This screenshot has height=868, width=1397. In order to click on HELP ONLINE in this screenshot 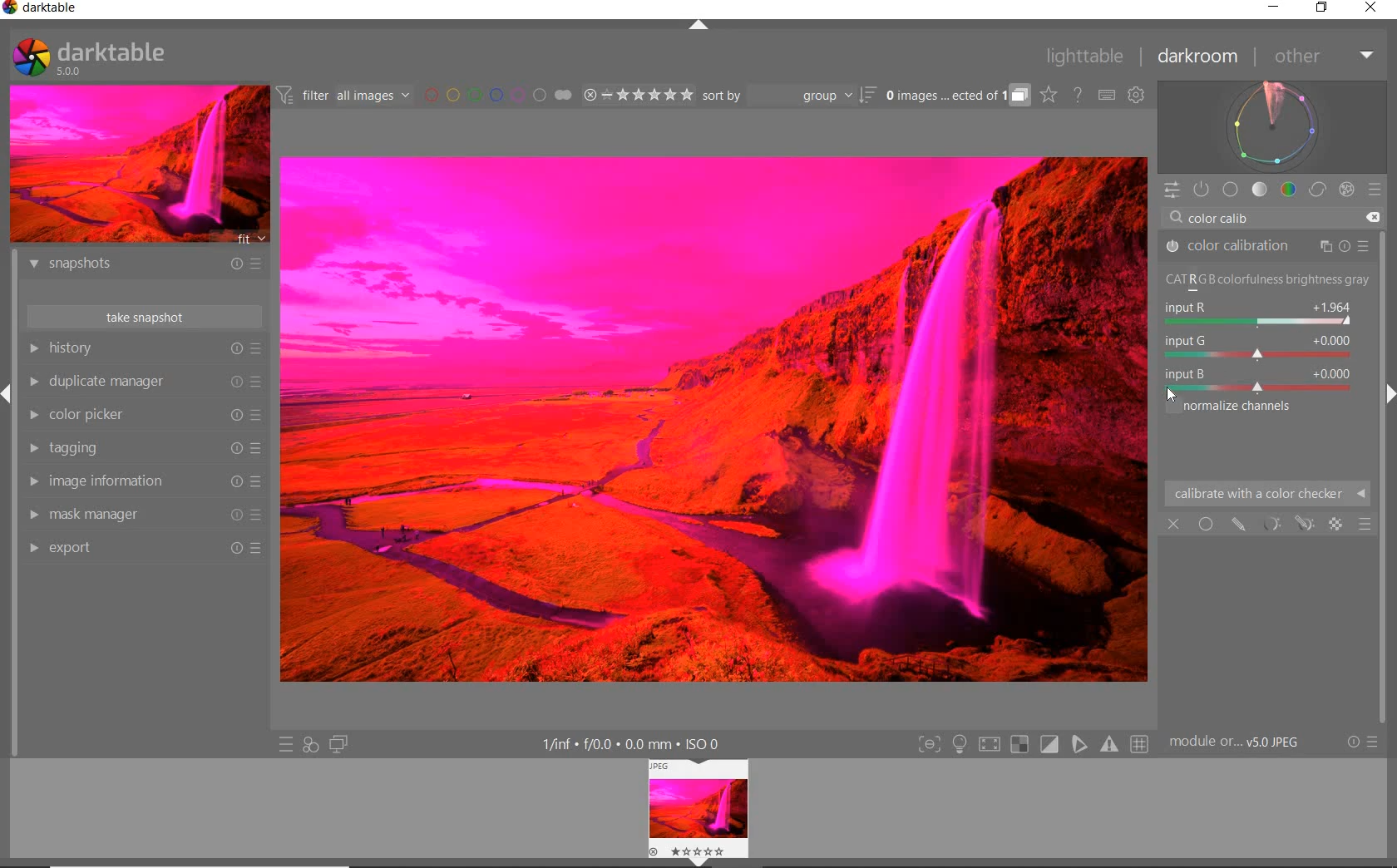, I will do `click(1078, 95)`.